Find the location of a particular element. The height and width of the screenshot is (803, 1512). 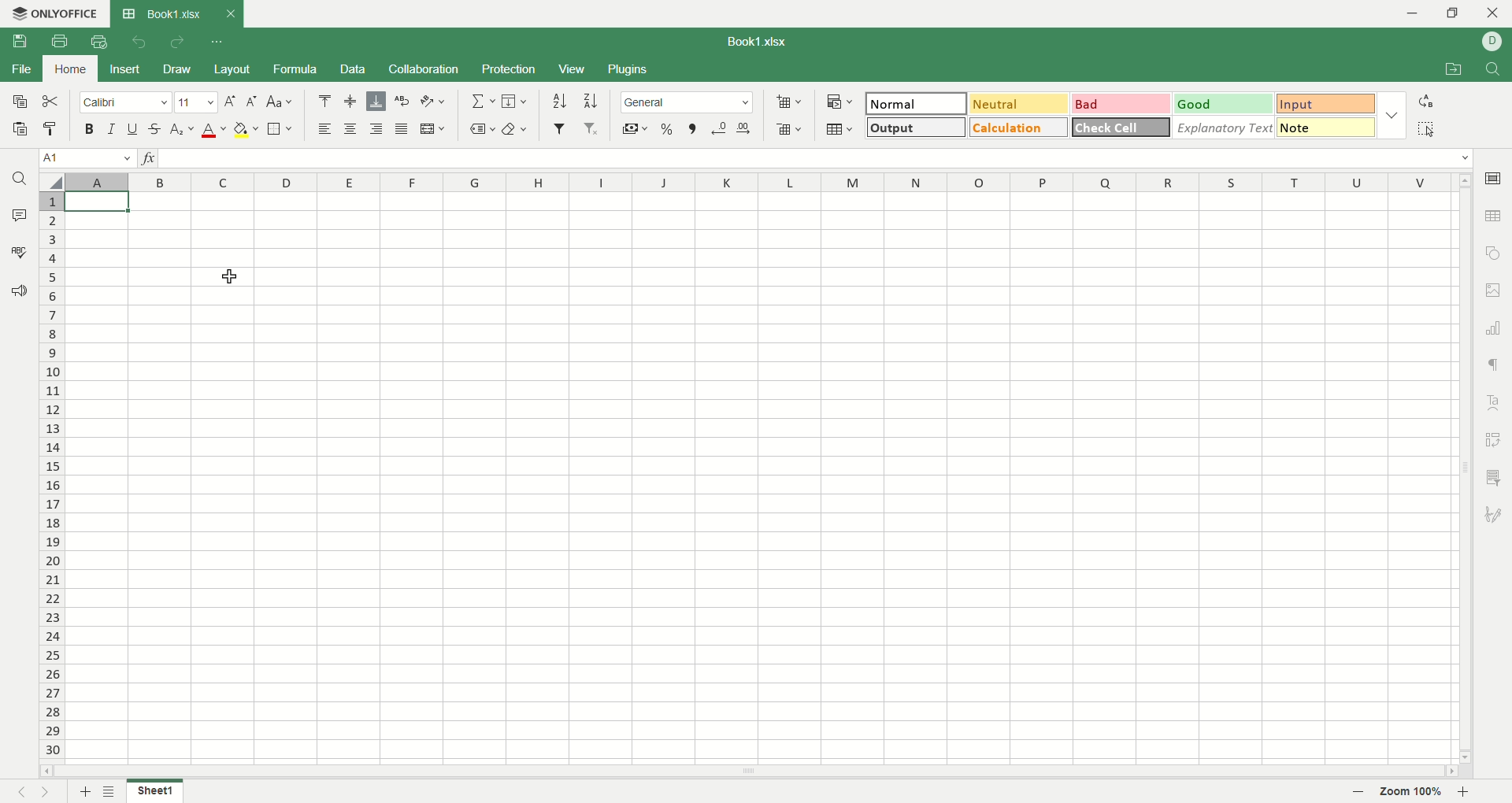

spell check is located at coordinates (17, 252).